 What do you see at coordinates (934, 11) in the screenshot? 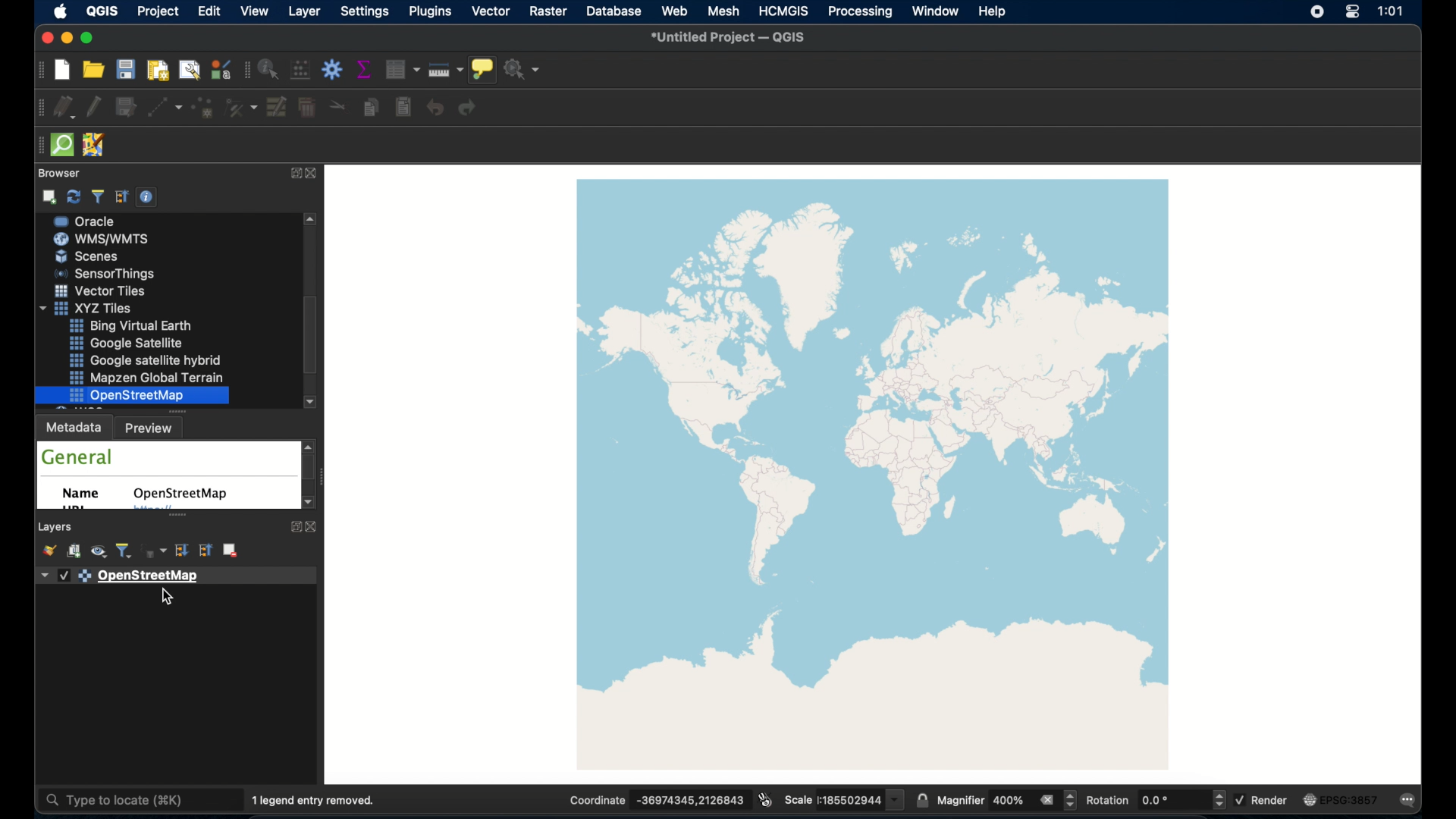
I see `window` at bounding box center [934, 11].